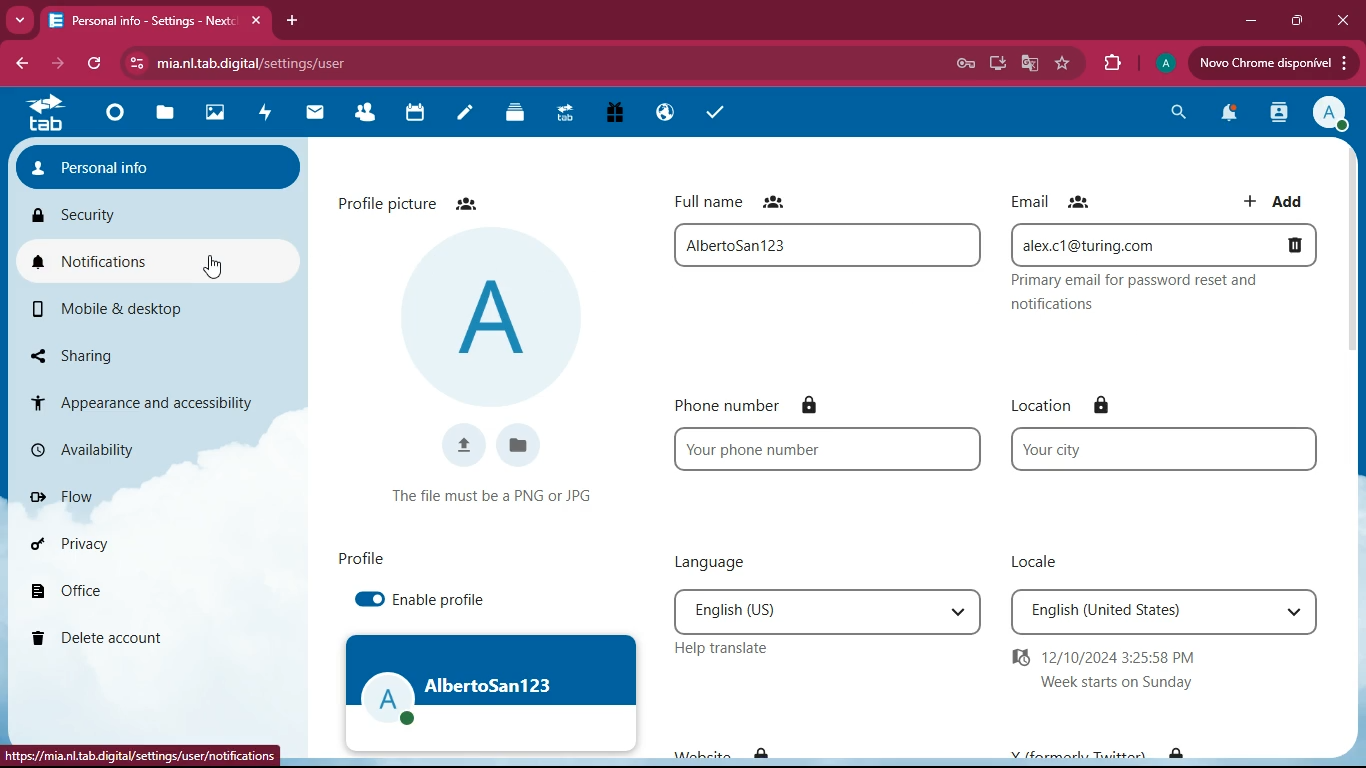 This screenshot has width=1366, height=768. I want to click on enable, so click(445, 598).